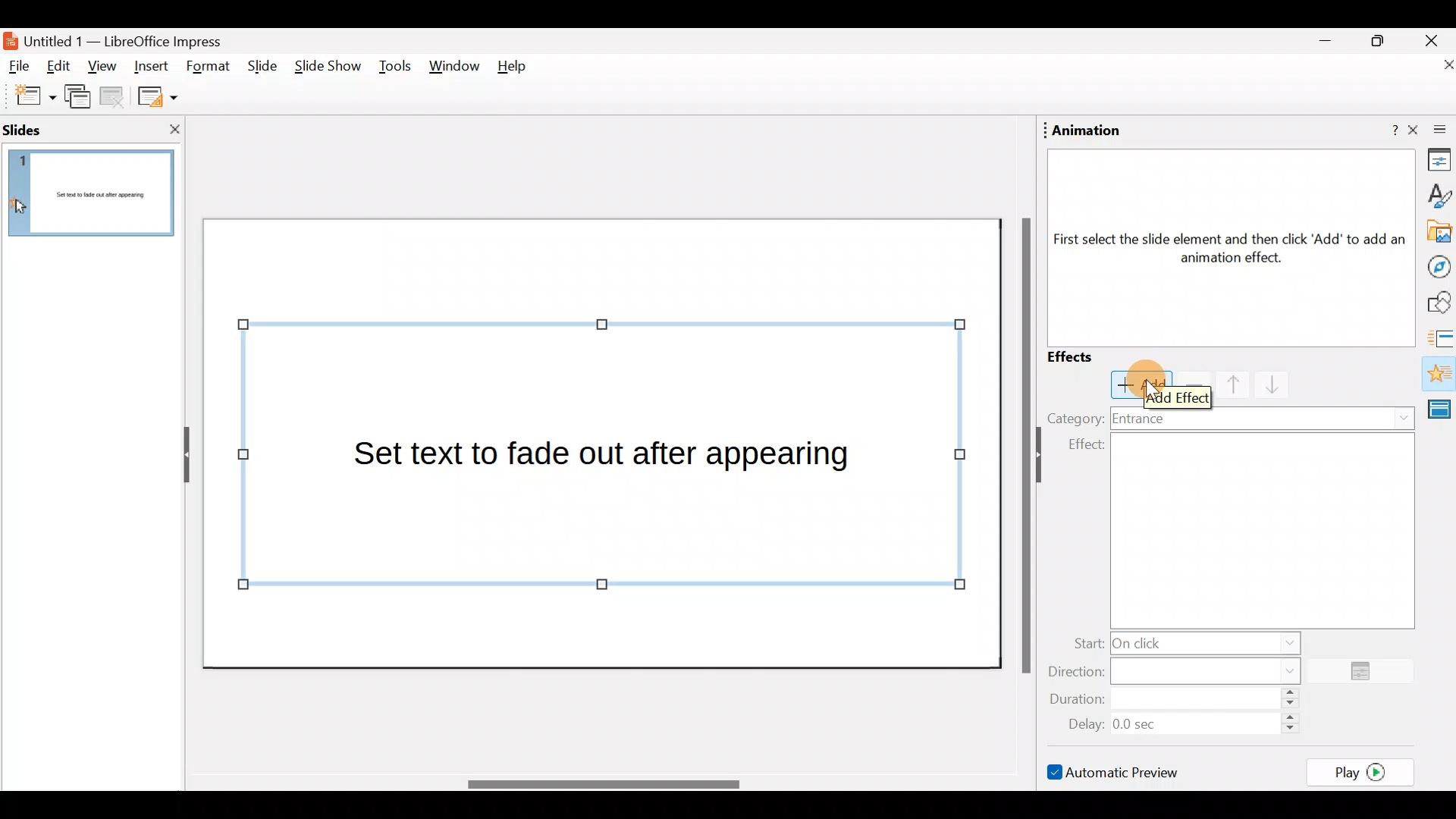  Describe the element at coordinates (1367, 672) in the screenshot. I see `Options` at that location.